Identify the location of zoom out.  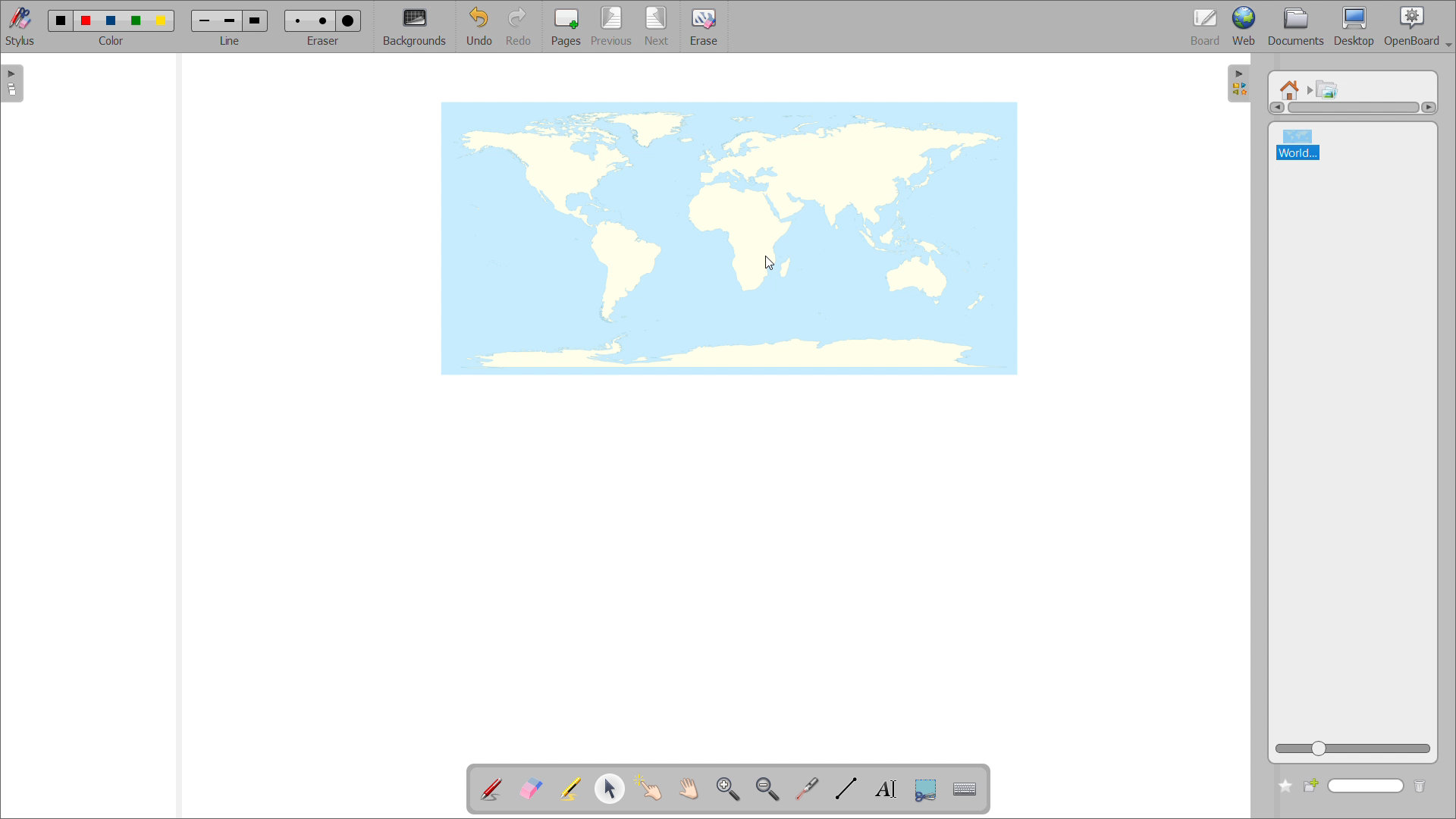
(767, 789).